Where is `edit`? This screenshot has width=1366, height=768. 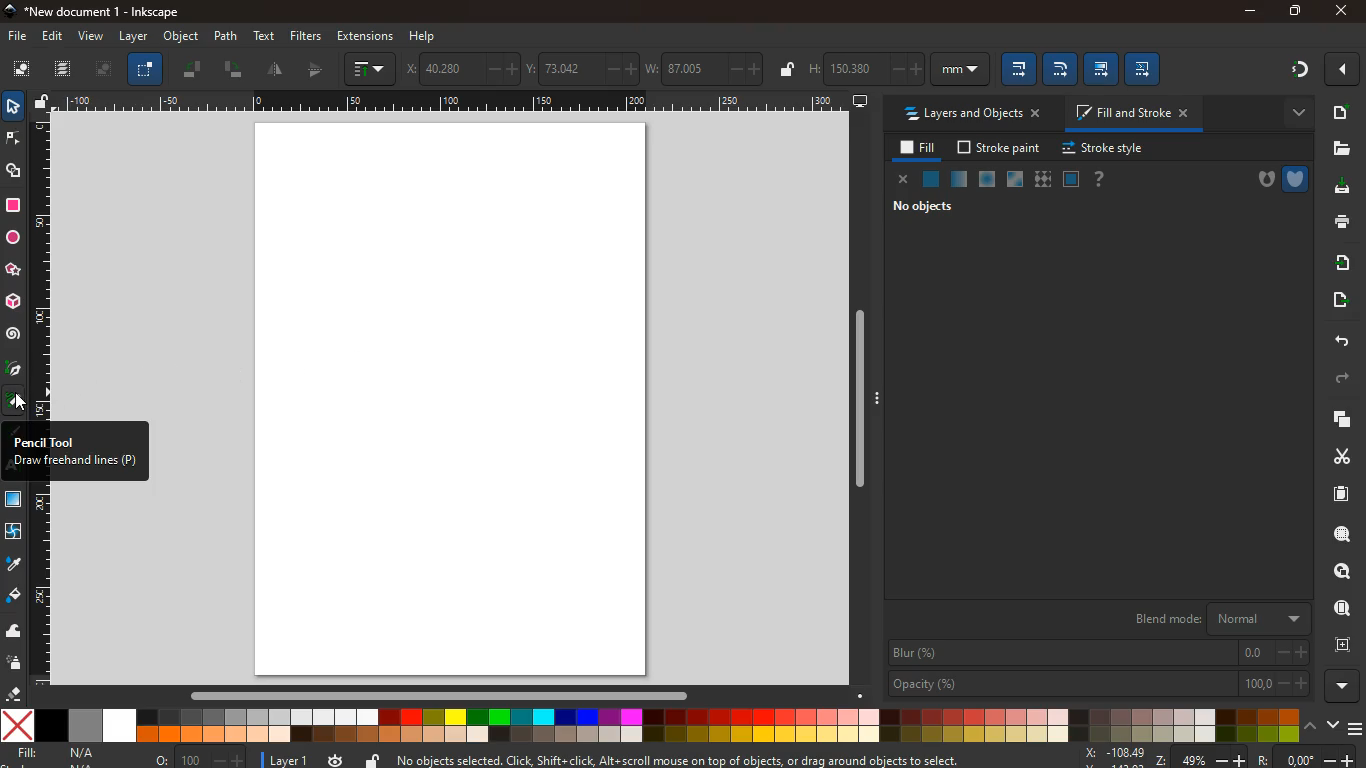
edit is located at coordinates (51, 37).